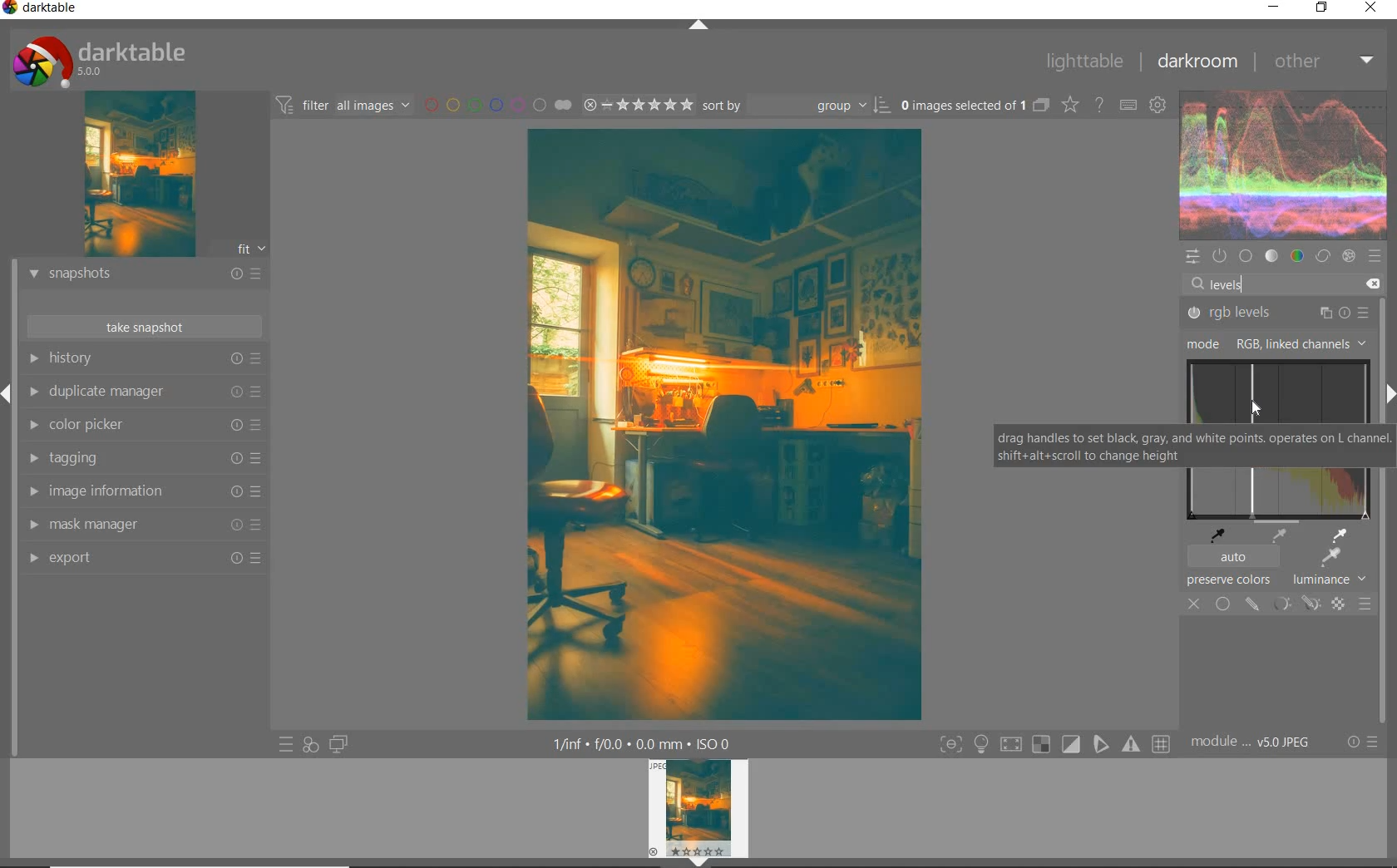 This screenshot has width=1397, height=868. Describe the element at coordinates (1220, 534) in the screenshot. I see `pick black point from image` at that location.